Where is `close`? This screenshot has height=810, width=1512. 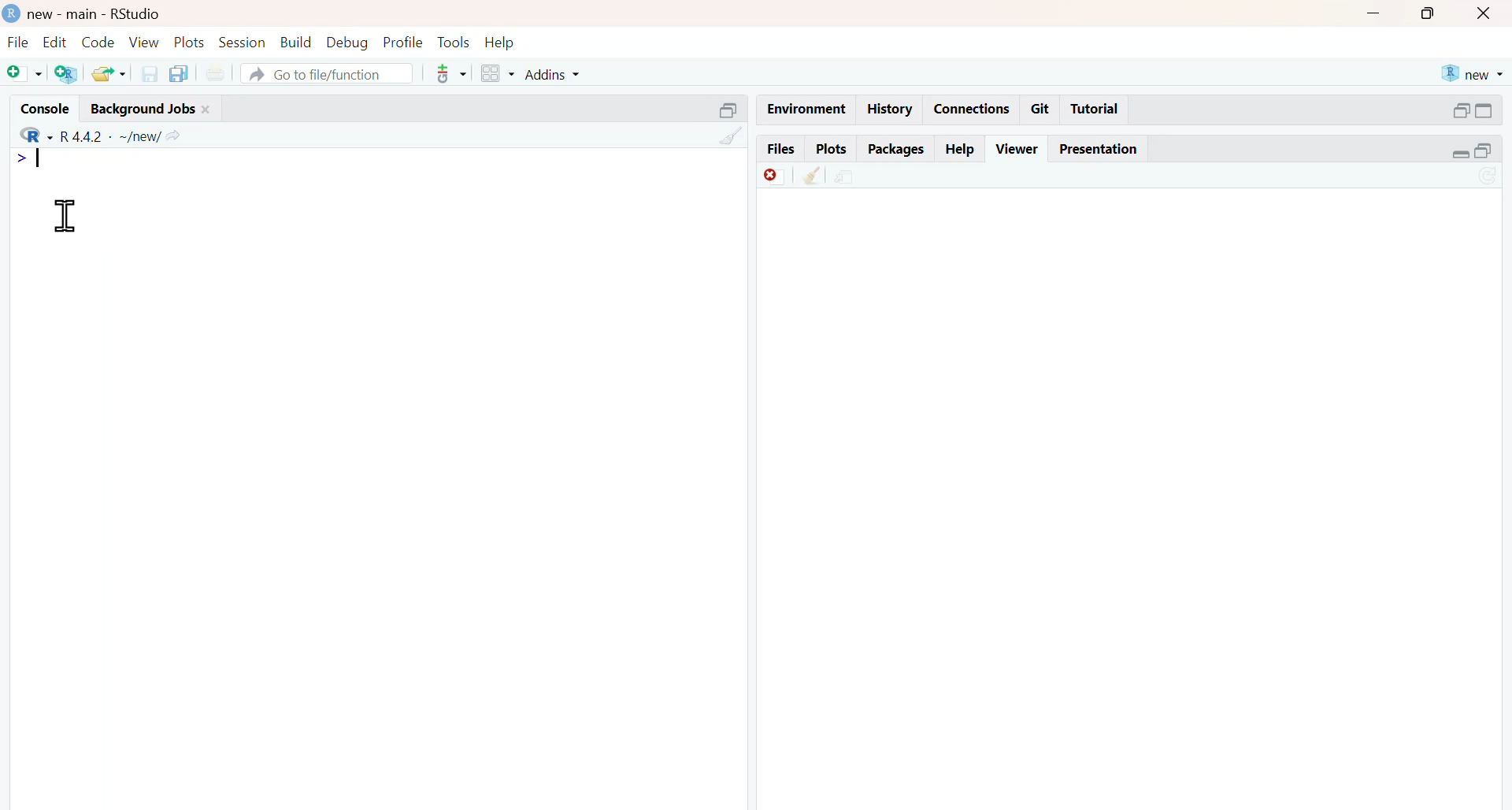 close is located at coordinates (1484, 13).